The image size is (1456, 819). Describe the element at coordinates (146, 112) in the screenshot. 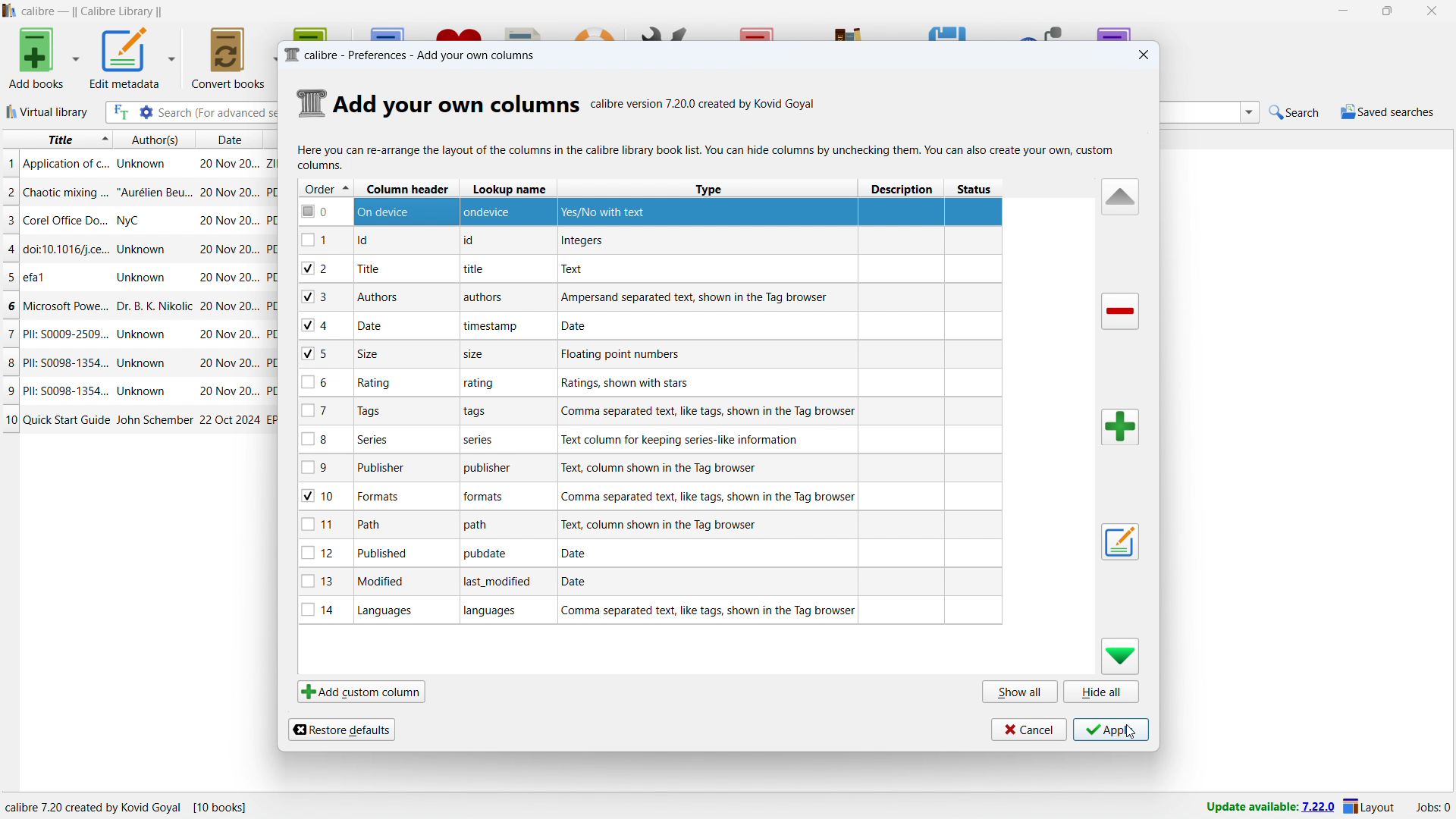

I see `advanced search` at that location.